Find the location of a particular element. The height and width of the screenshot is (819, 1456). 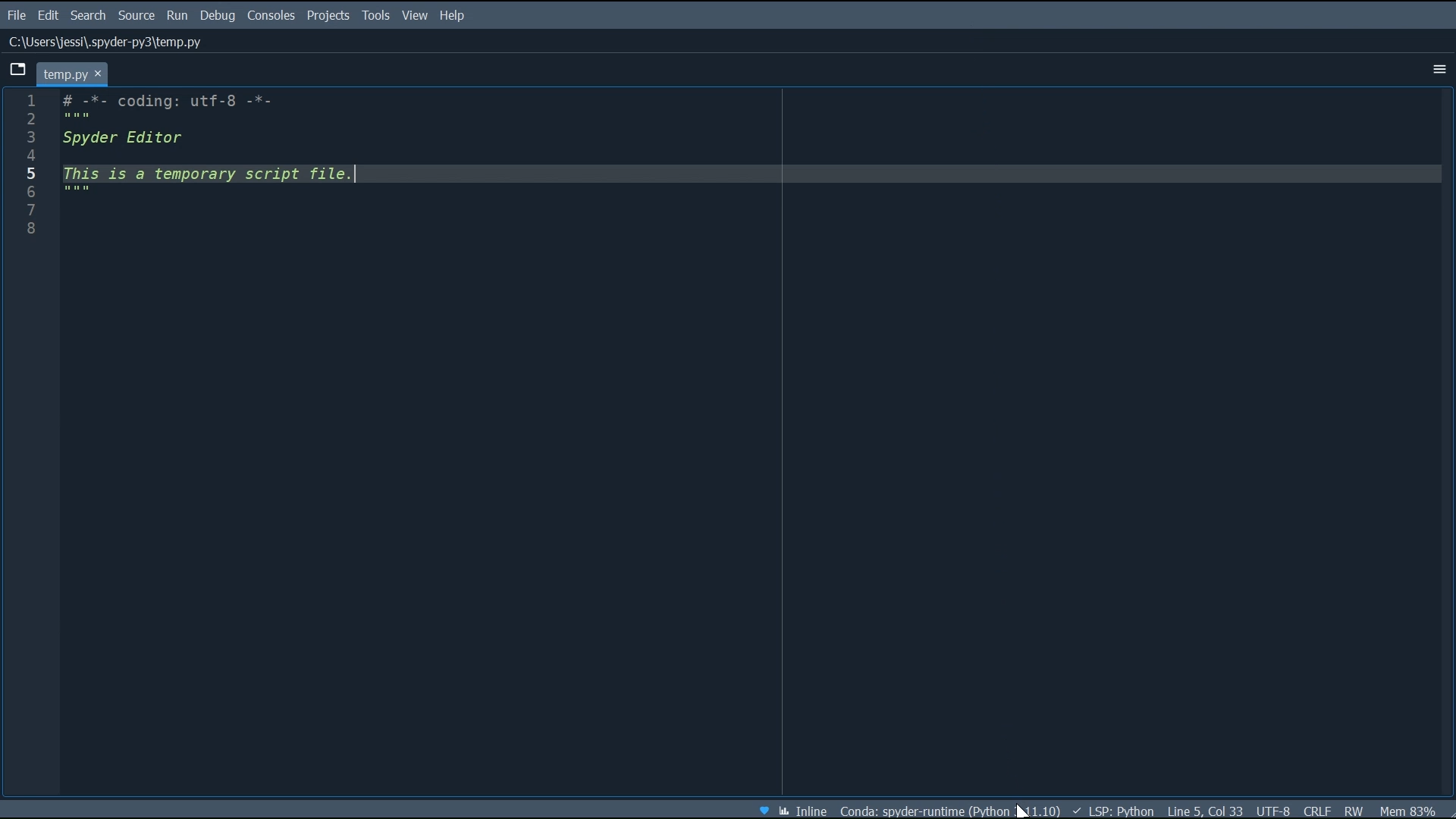

# -*- coding: utf-8 -*- """ Spyder Editor  This is a temporary script file. """ is located at coordinates (754, 444).